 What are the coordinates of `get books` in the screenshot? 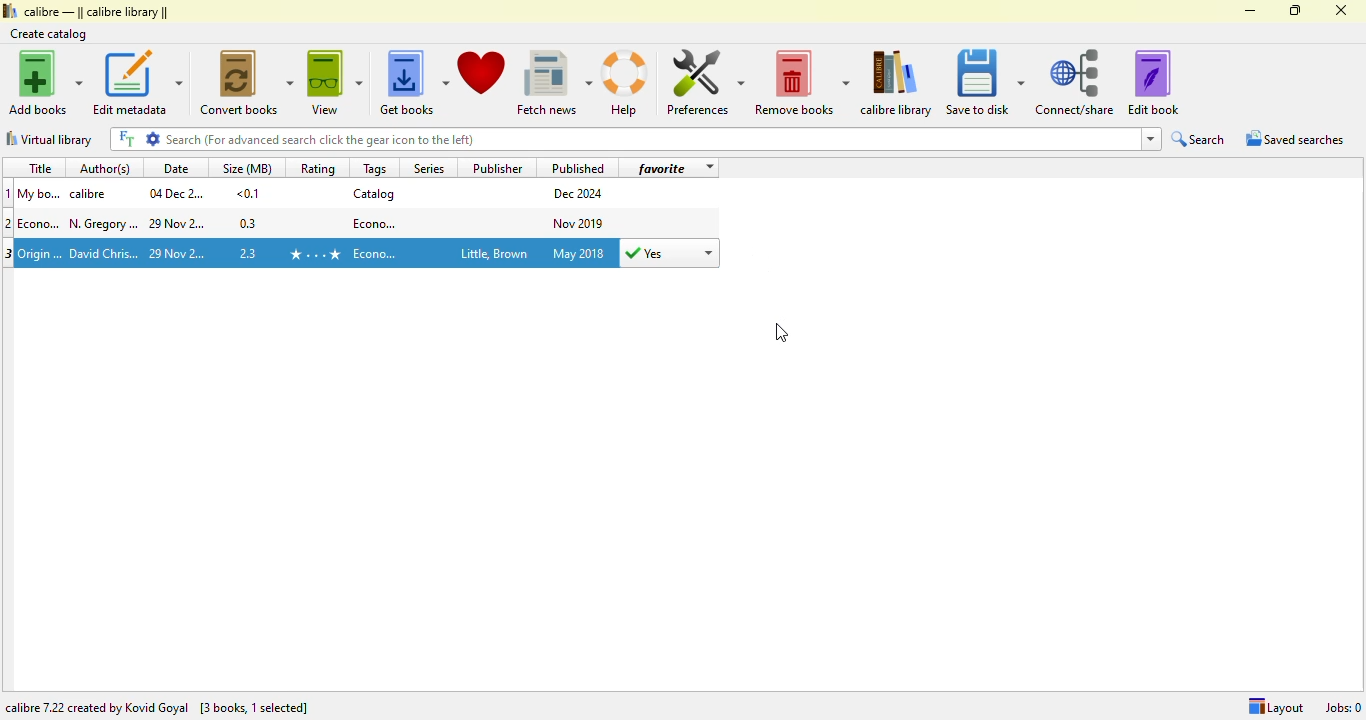 It's located at (413, 83).